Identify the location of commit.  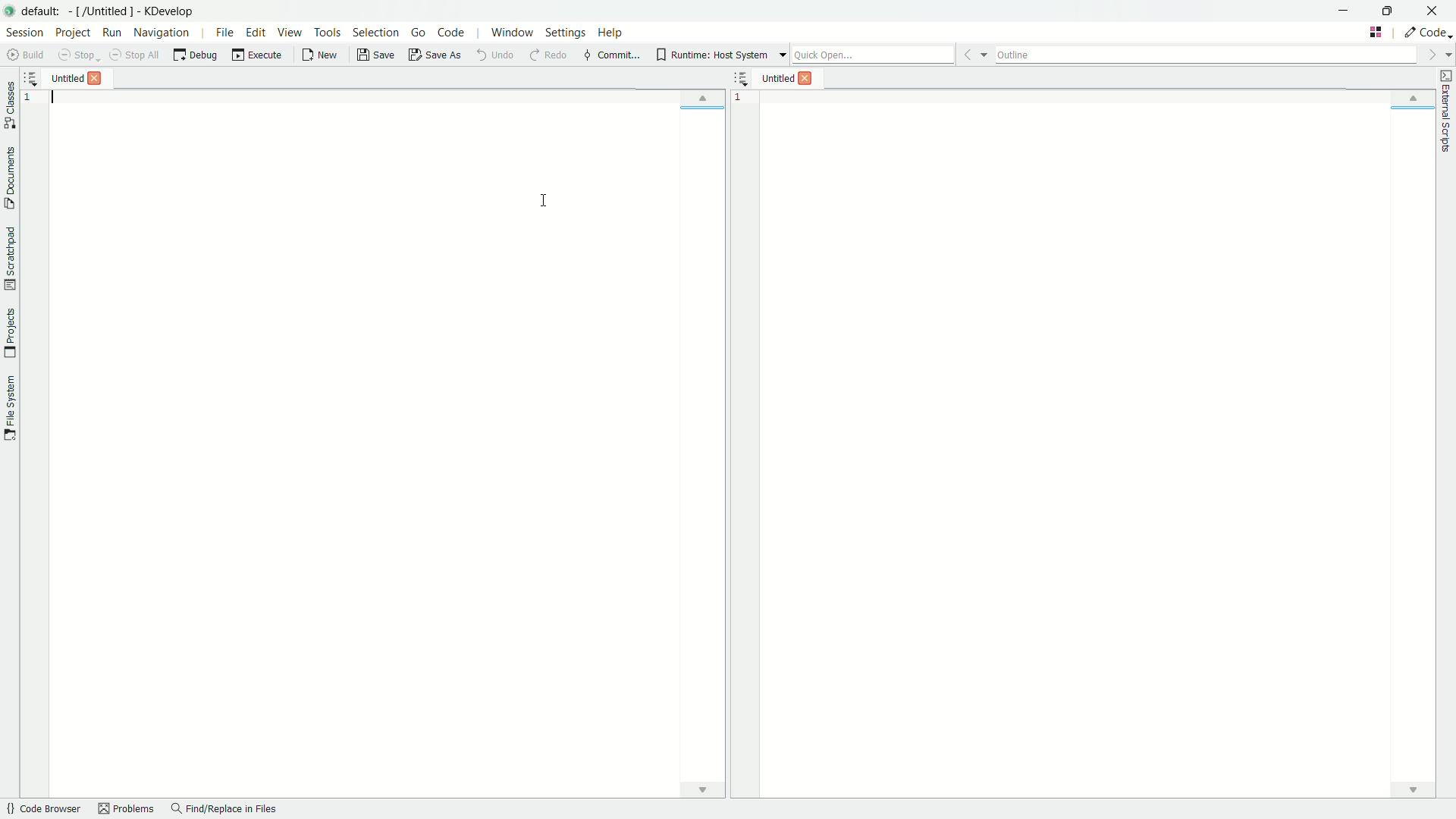
(612, 54).